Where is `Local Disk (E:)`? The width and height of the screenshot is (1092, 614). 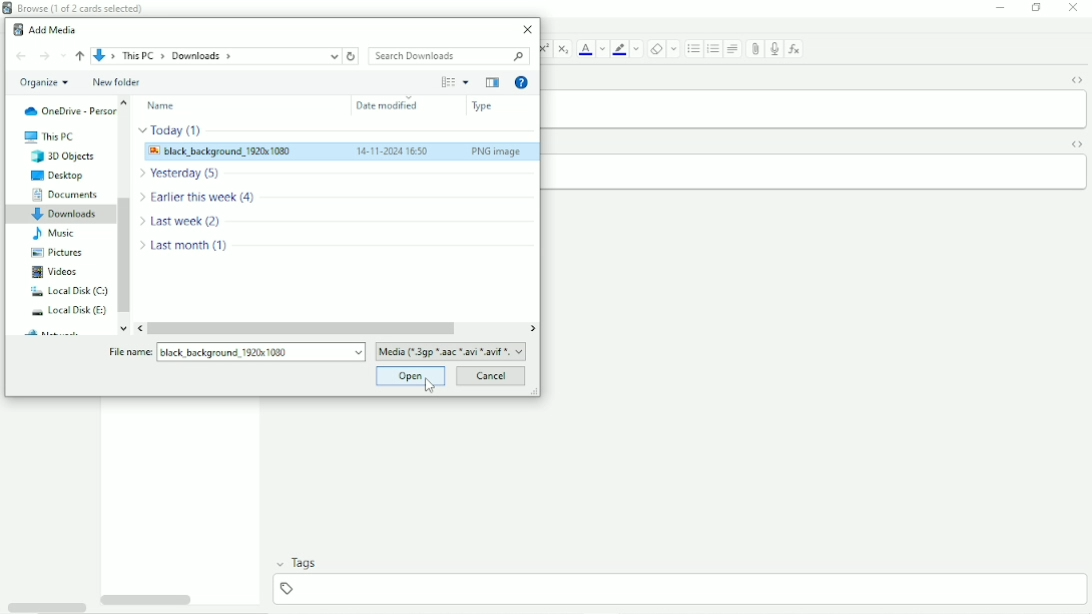
Local Disk (E:) is located at coordinates (65, 311).